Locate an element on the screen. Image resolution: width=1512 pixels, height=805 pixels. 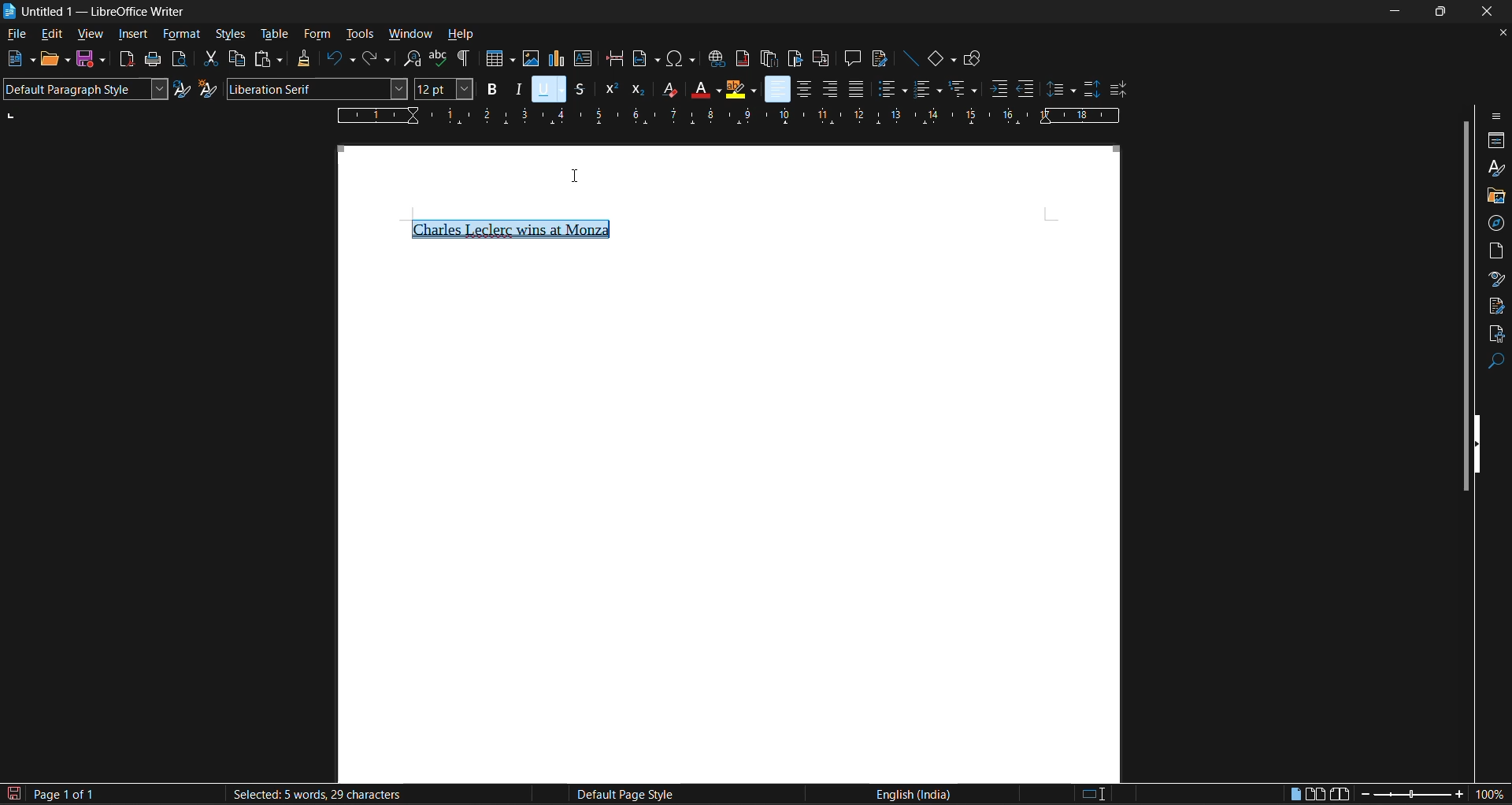
strikethorugh is located at coordinates (580, 90).